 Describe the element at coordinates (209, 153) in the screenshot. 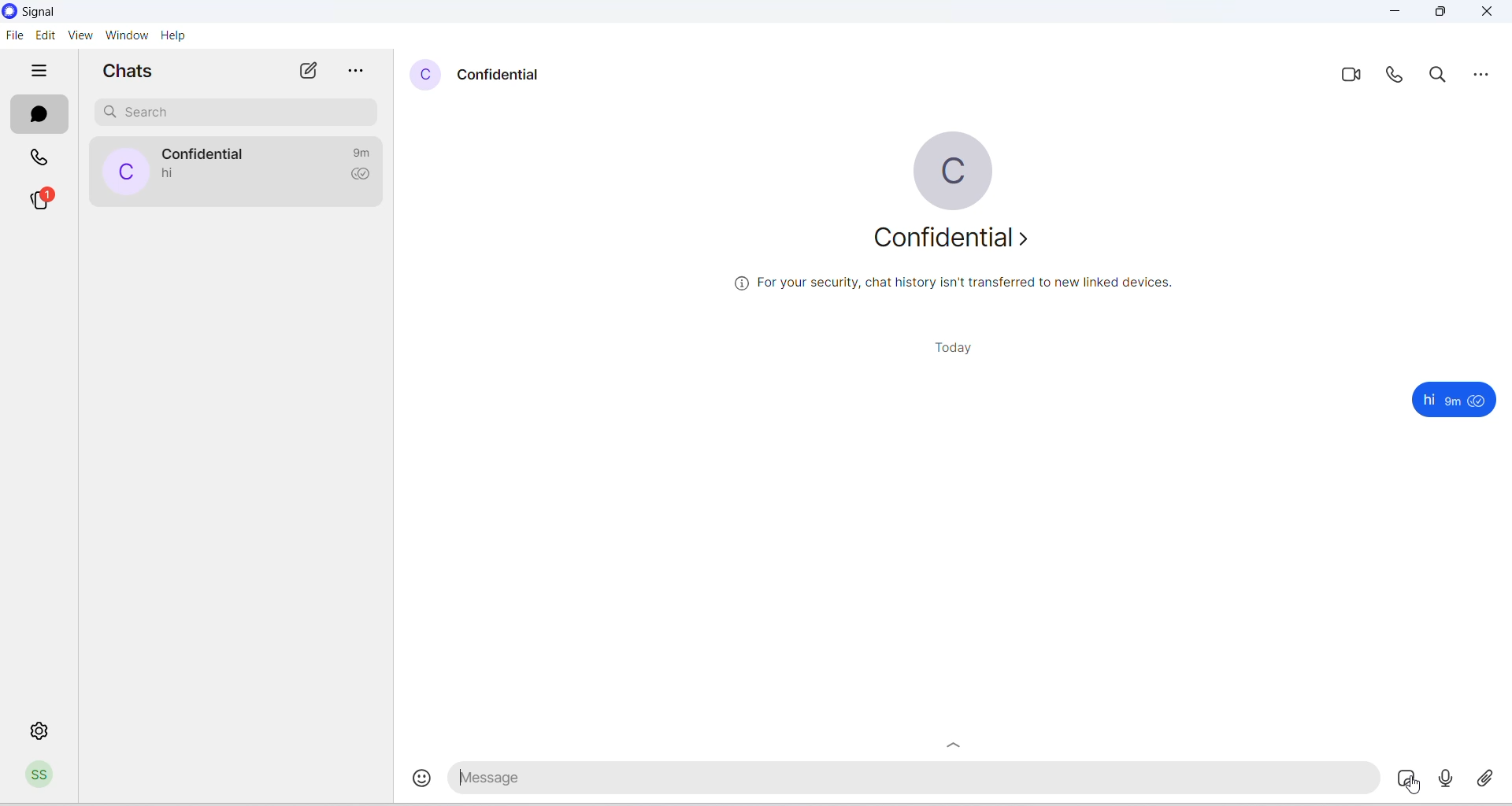

I see `contact name` at that location.